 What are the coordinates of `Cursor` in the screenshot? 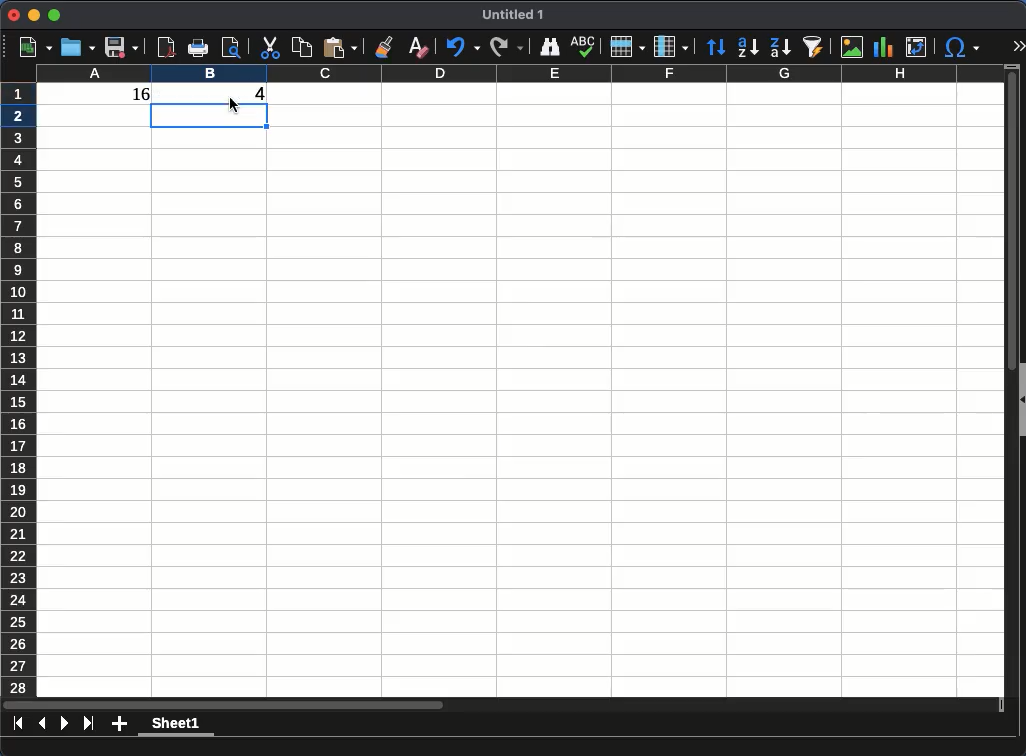 It's located at (230, 103).